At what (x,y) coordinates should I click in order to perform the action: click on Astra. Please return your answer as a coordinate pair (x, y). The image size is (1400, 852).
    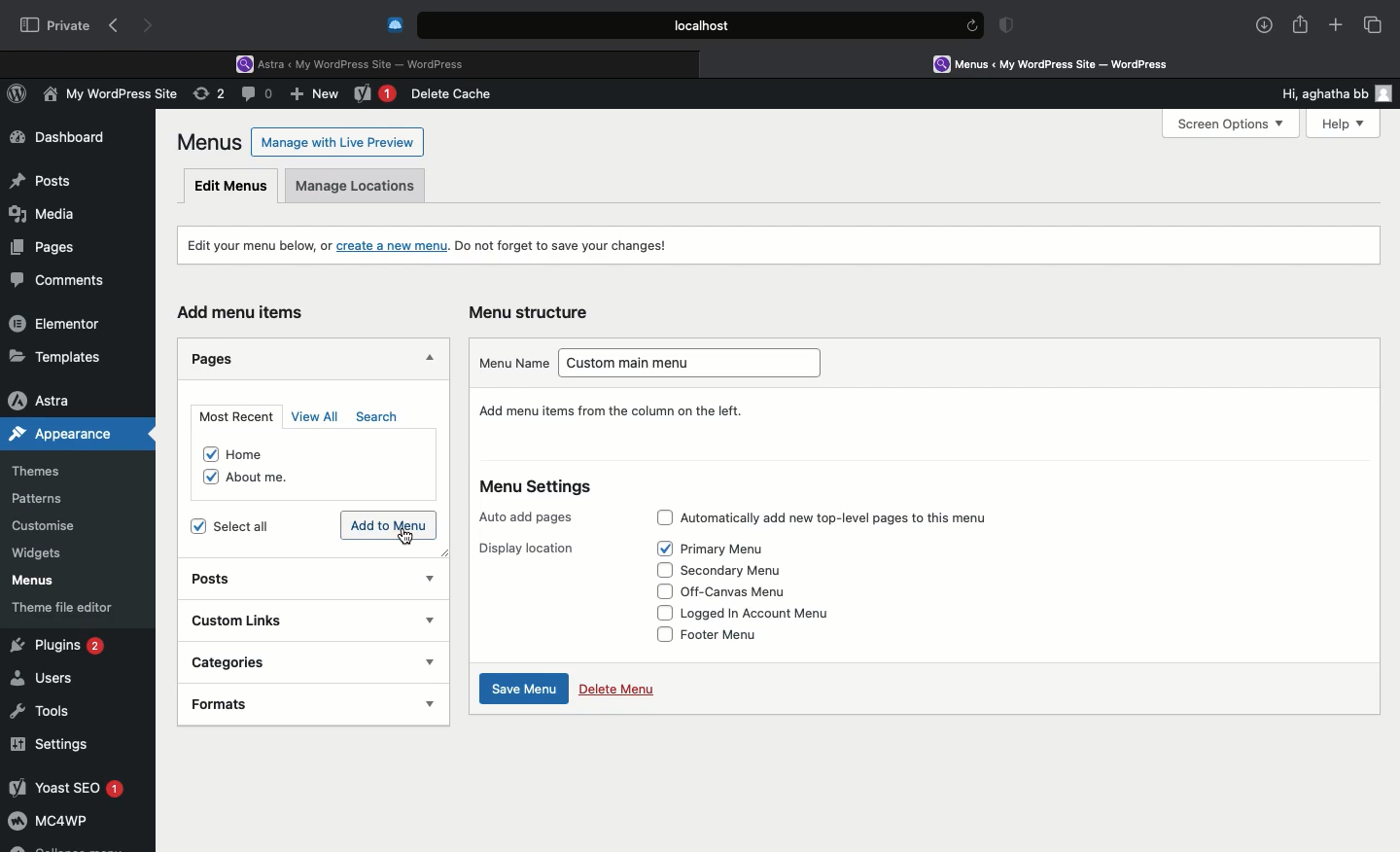
    Looking at the image, I should click on (57, 400).